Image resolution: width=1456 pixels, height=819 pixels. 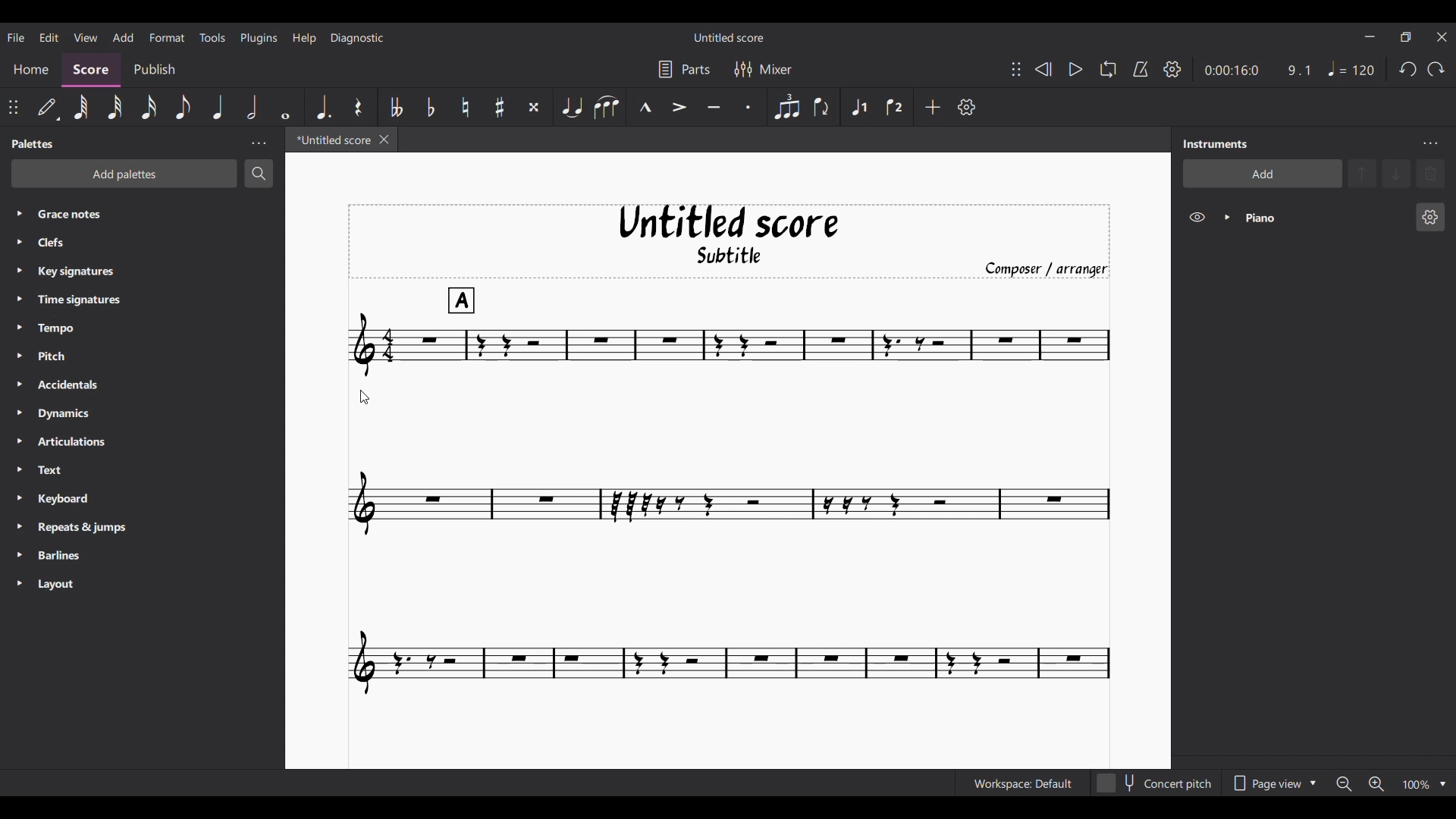 I want to click on Ratio and duration of current note in score, so click(x=1257, y=70).